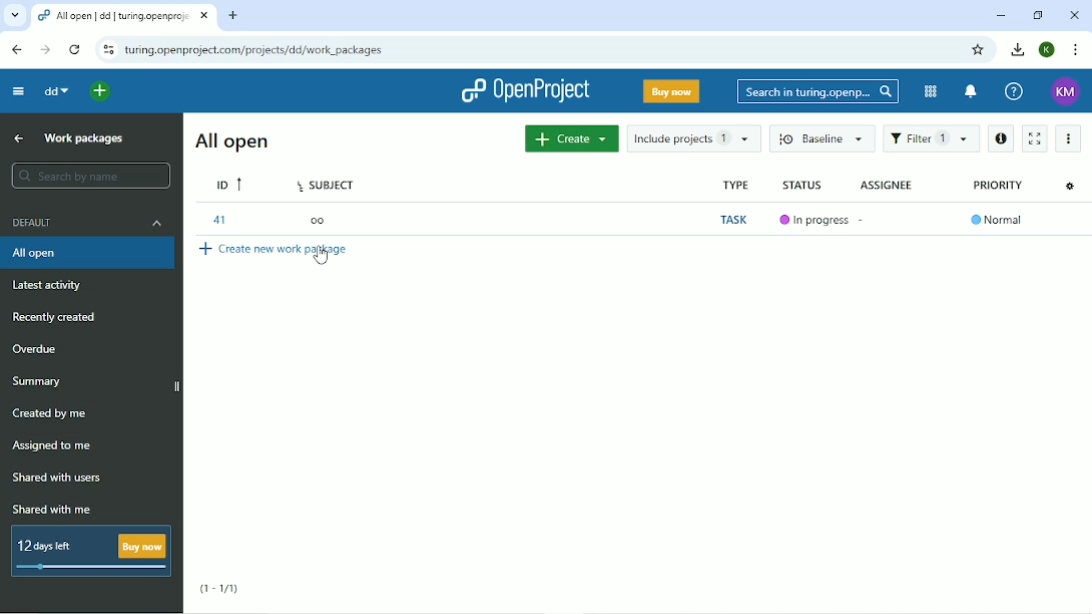 The height and width of the screenshot is (614, 1092). What do you see at coordinates (1070, 137) in the screenshot?
I see `More actions` at bounding box center [1070, 137].